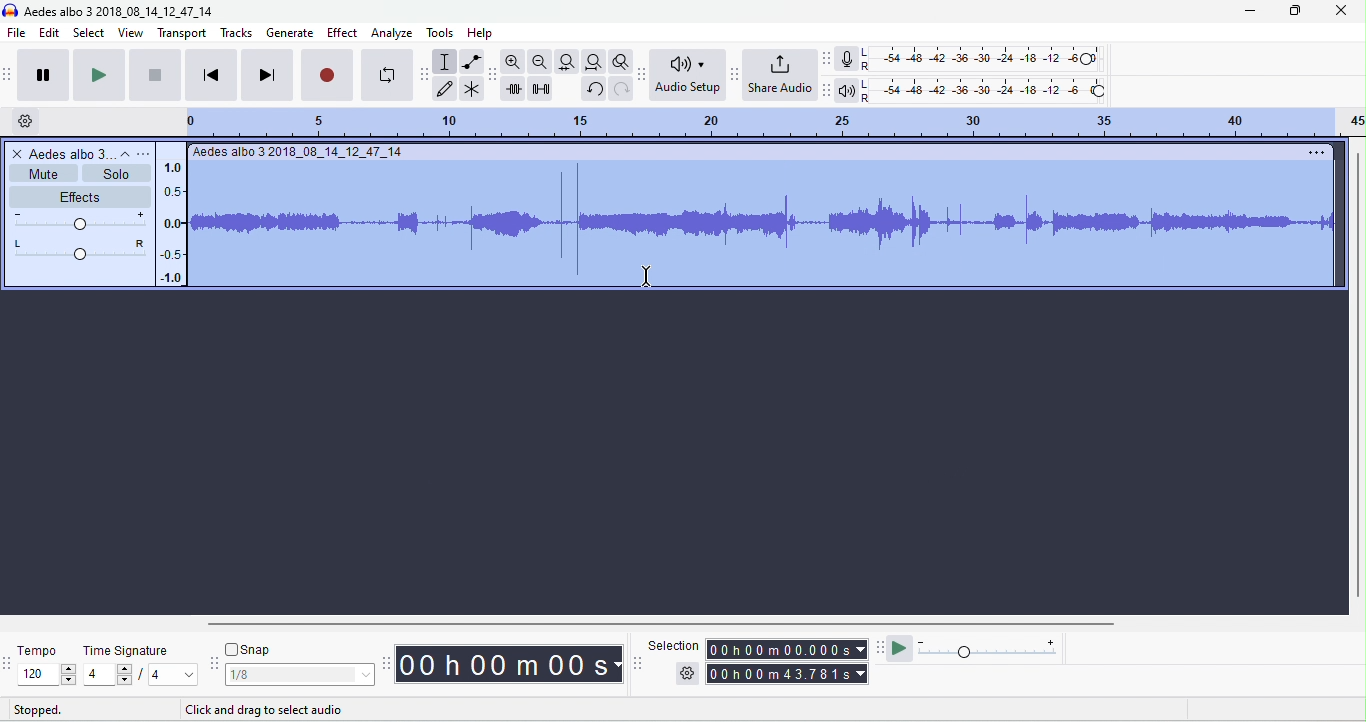 This screenshot has height=722, width=1366. What do you see at coordinates (98, 73) in the screenshot?
I see `play` at bounding box center [98, 73].